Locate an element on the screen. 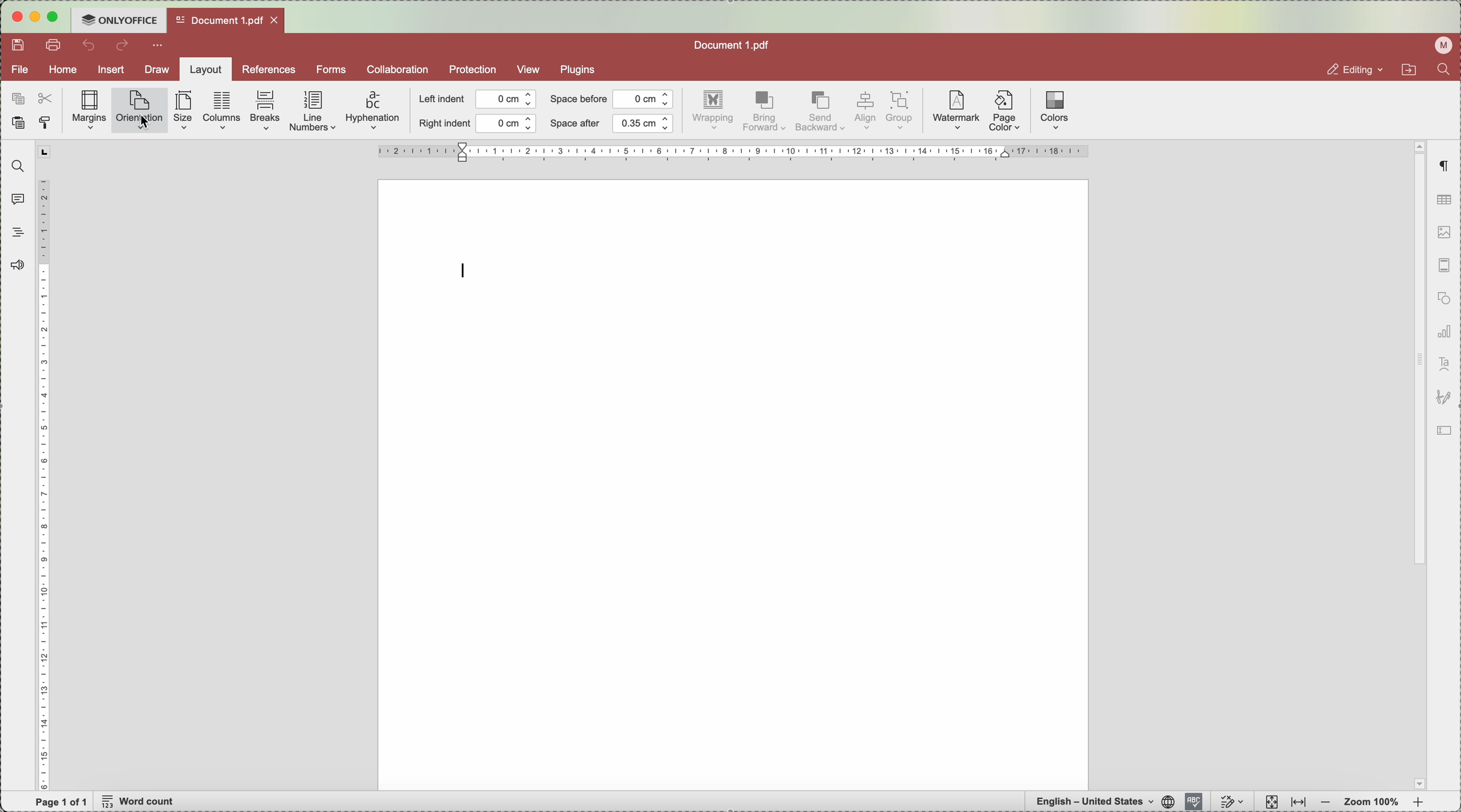 This screenshot has width=1461, height=812. view is located at coordinates (529, 69).